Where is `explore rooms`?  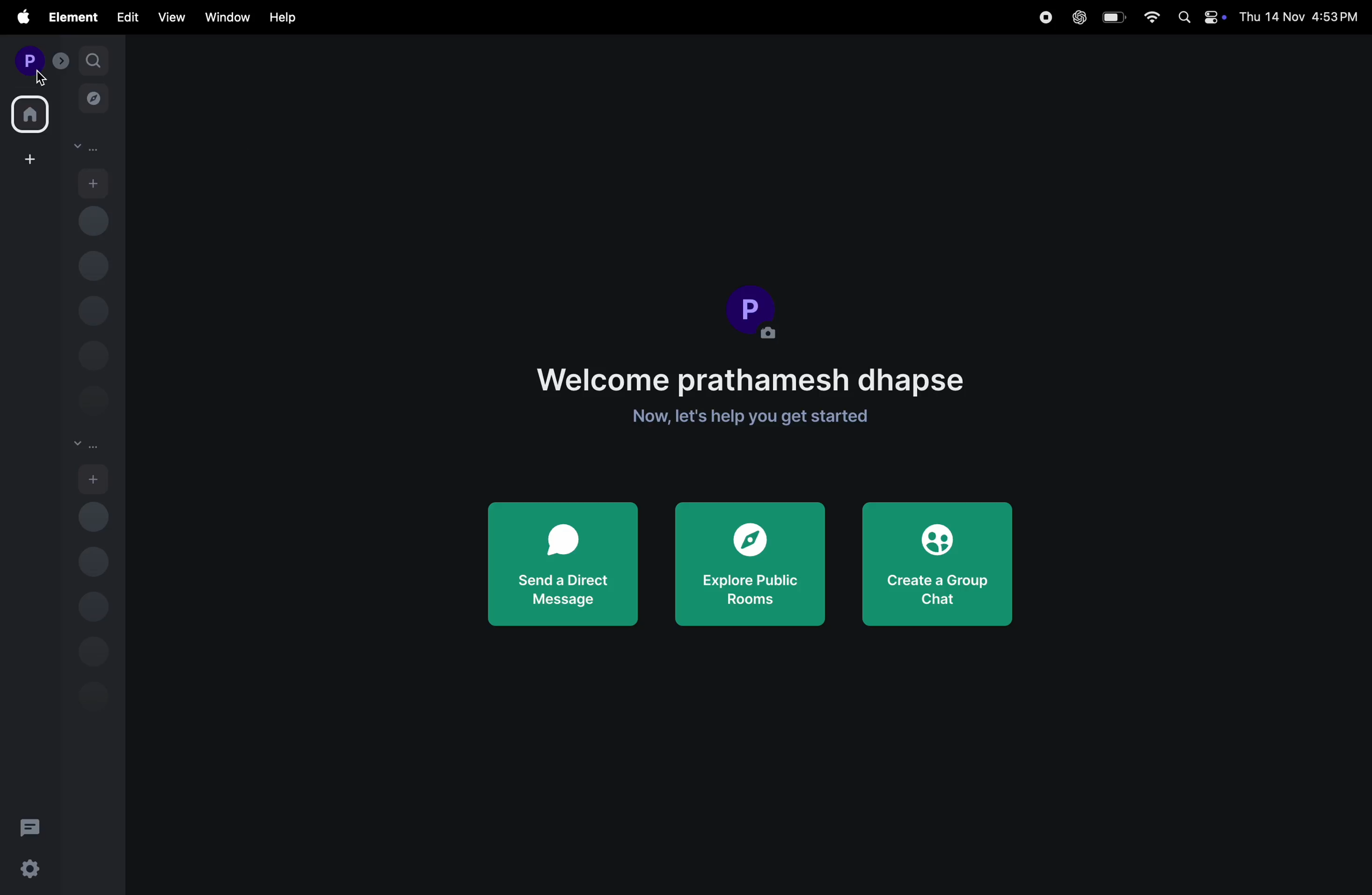 explore rooms is located at coordinates (93, 96).